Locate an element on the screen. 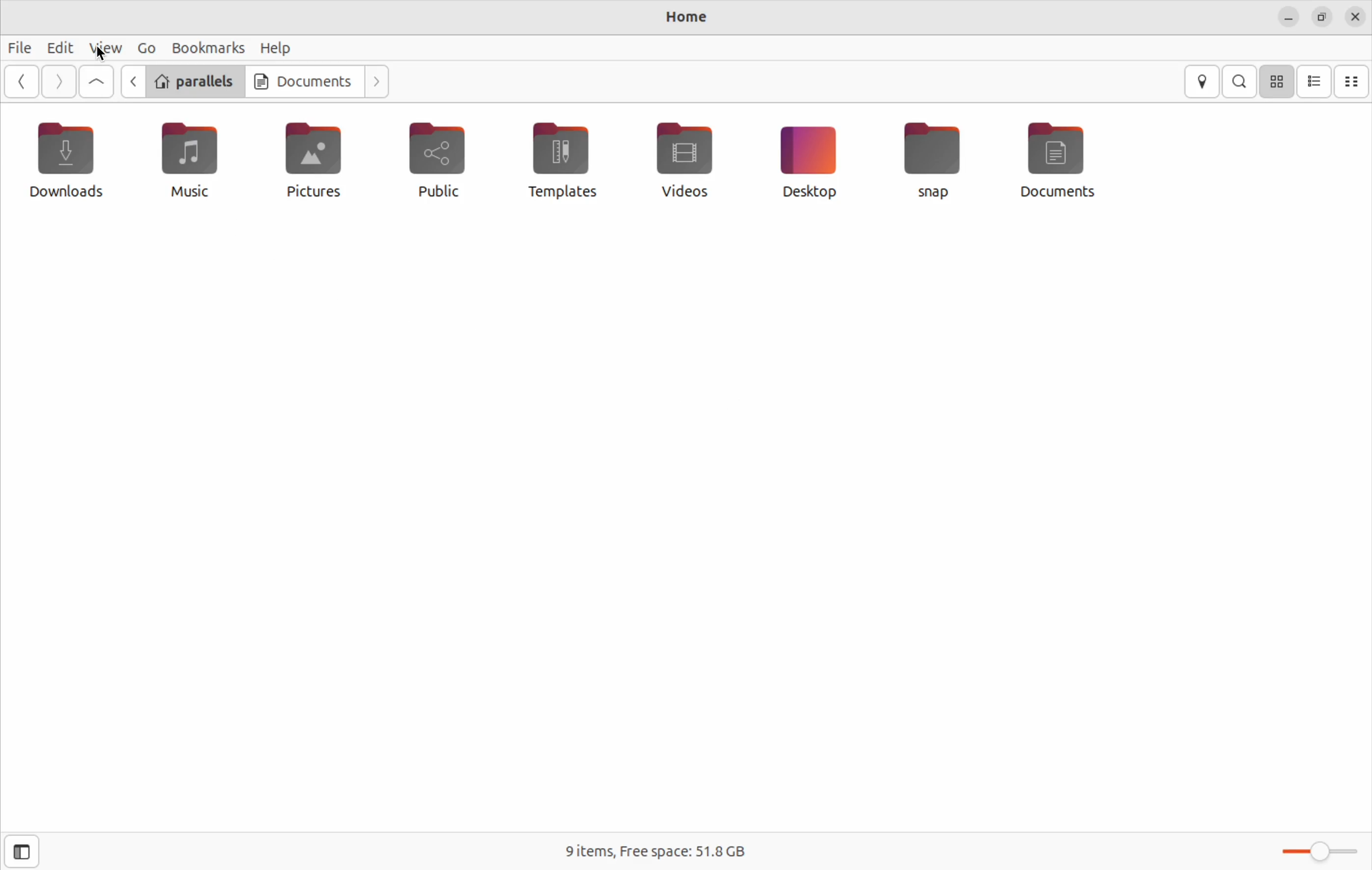 Image resolution: width=1372 pixels, height=870 pixels. Pictures file is located at coordinates (314, 160).